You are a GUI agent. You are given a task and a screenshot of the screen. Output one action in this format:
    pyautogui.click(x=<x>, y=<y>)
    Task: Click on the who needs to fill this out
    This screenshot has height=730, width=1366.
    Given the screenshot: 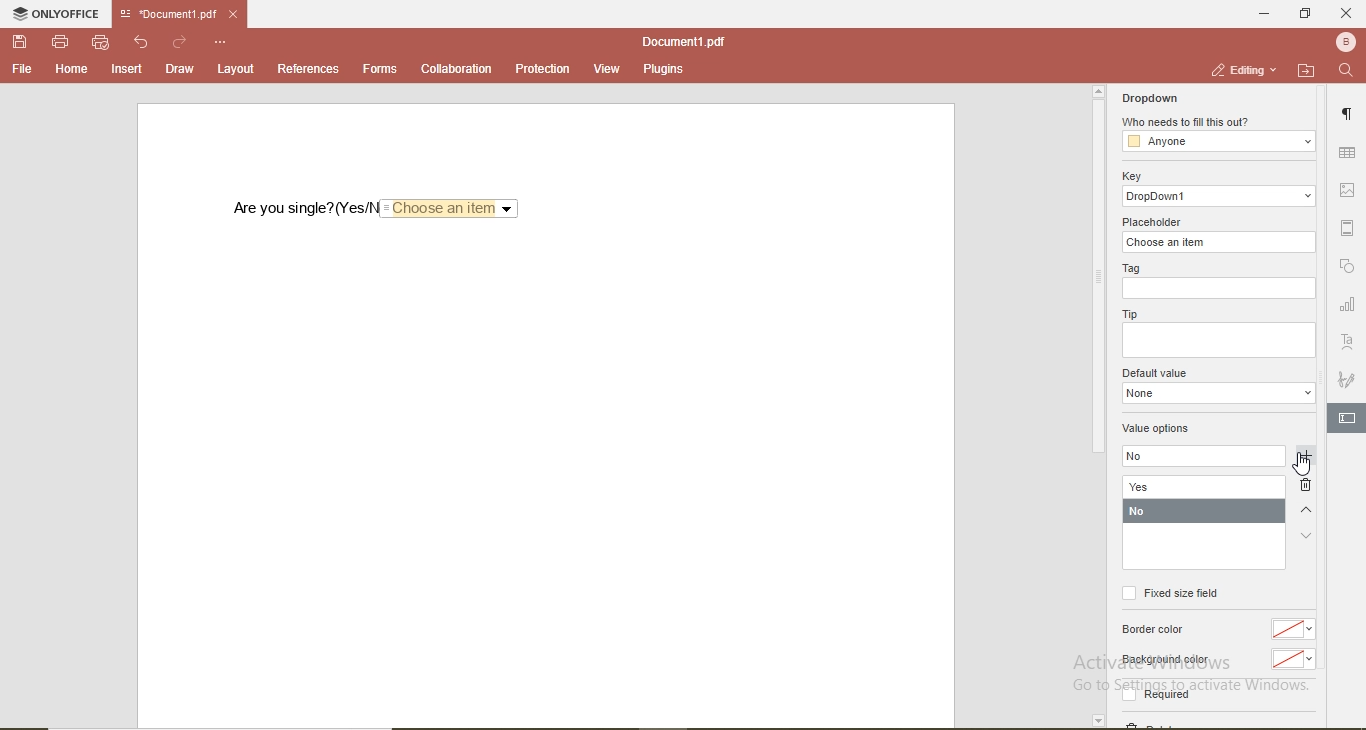 What is the action you would take?
    pyautogui.click(x=1188, y=122)
    